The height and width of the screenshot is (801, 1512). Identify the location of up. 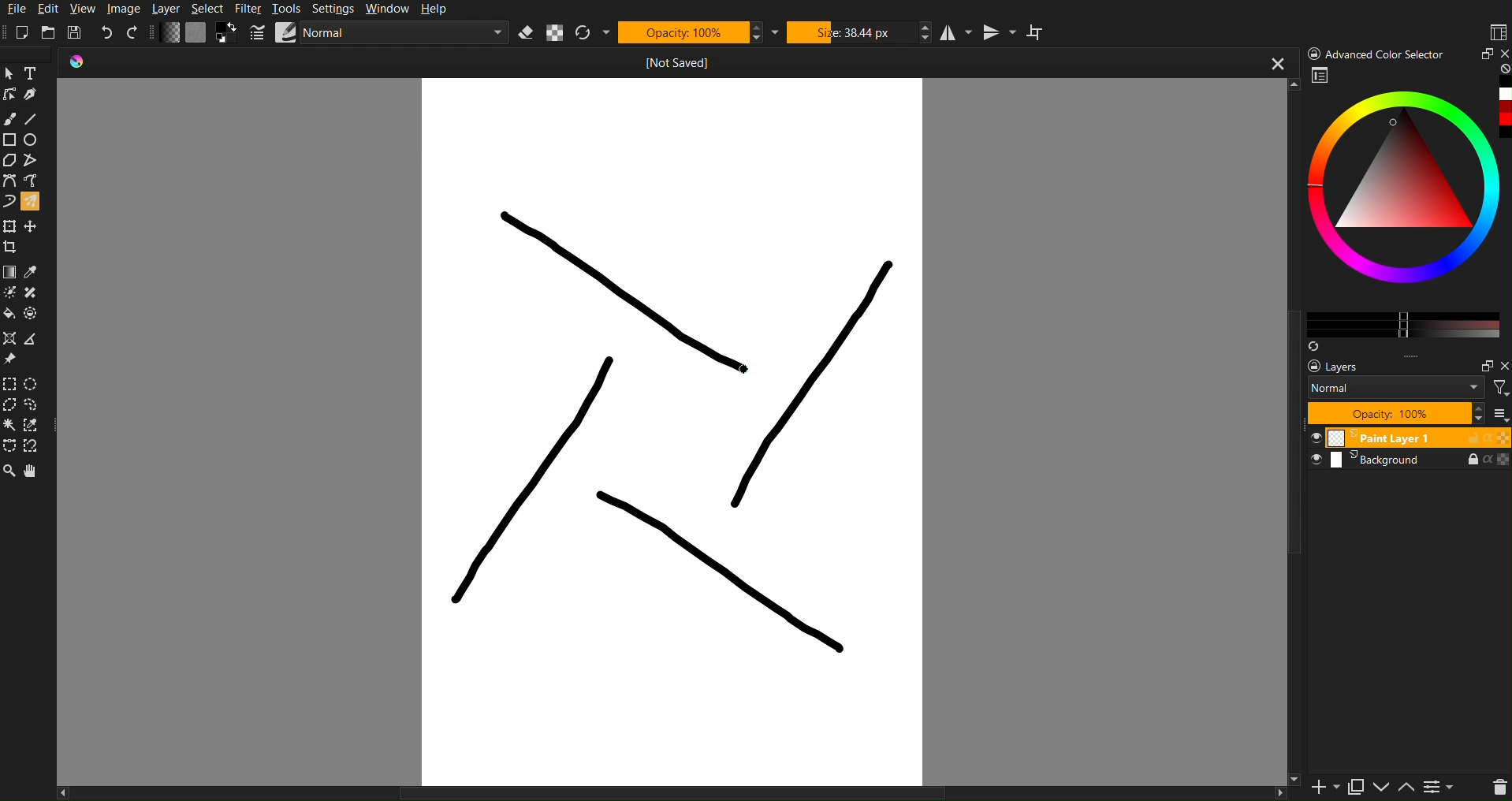
(1406, 789).